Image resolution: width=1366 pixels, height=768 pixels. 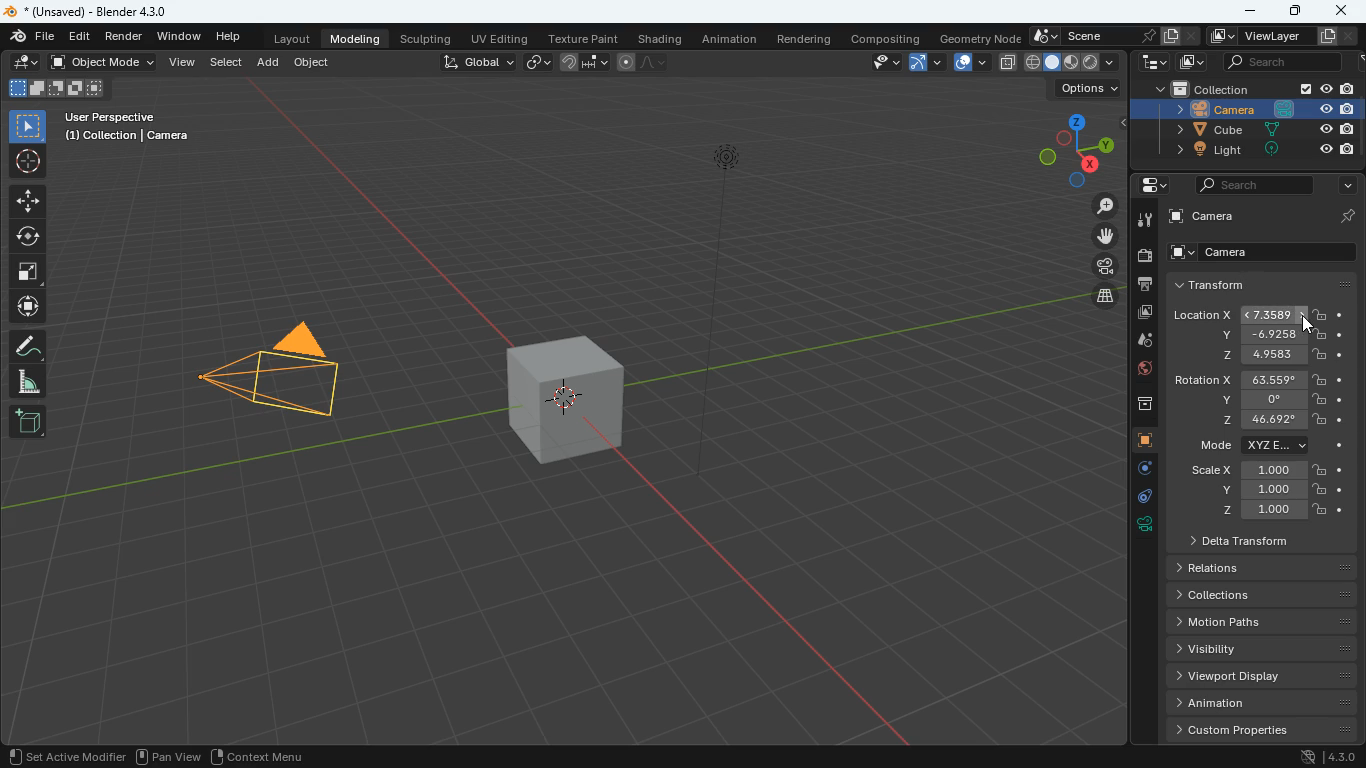 What do you see at coordinates (1147, 185) in the screenshot?
I see `settings` at bounding box center [1147, 185].